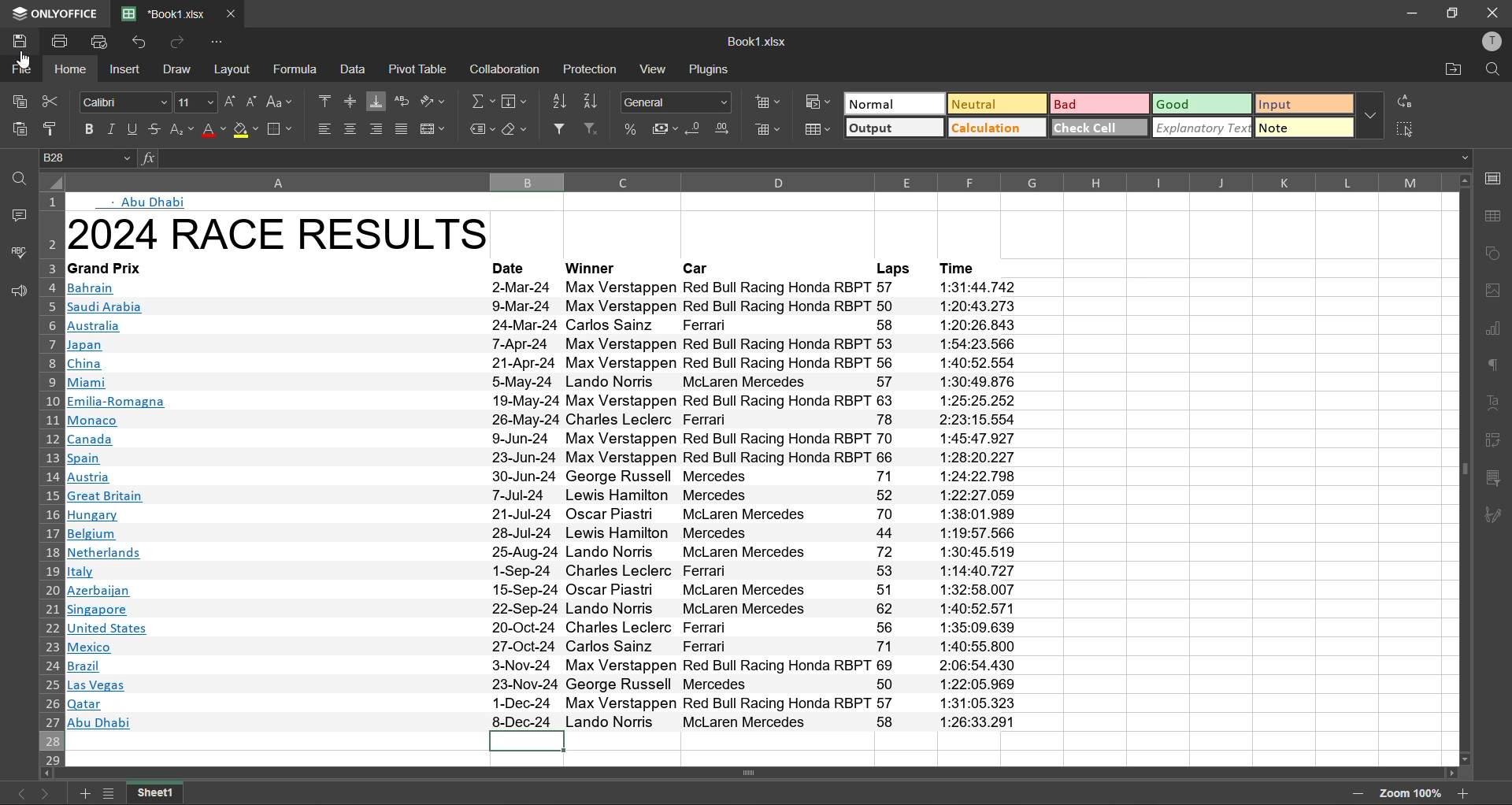 This screenshot has height=805, width=1512. Describe the element at coordinates (675, 102) in the screenshot. I see `number format` at that location.